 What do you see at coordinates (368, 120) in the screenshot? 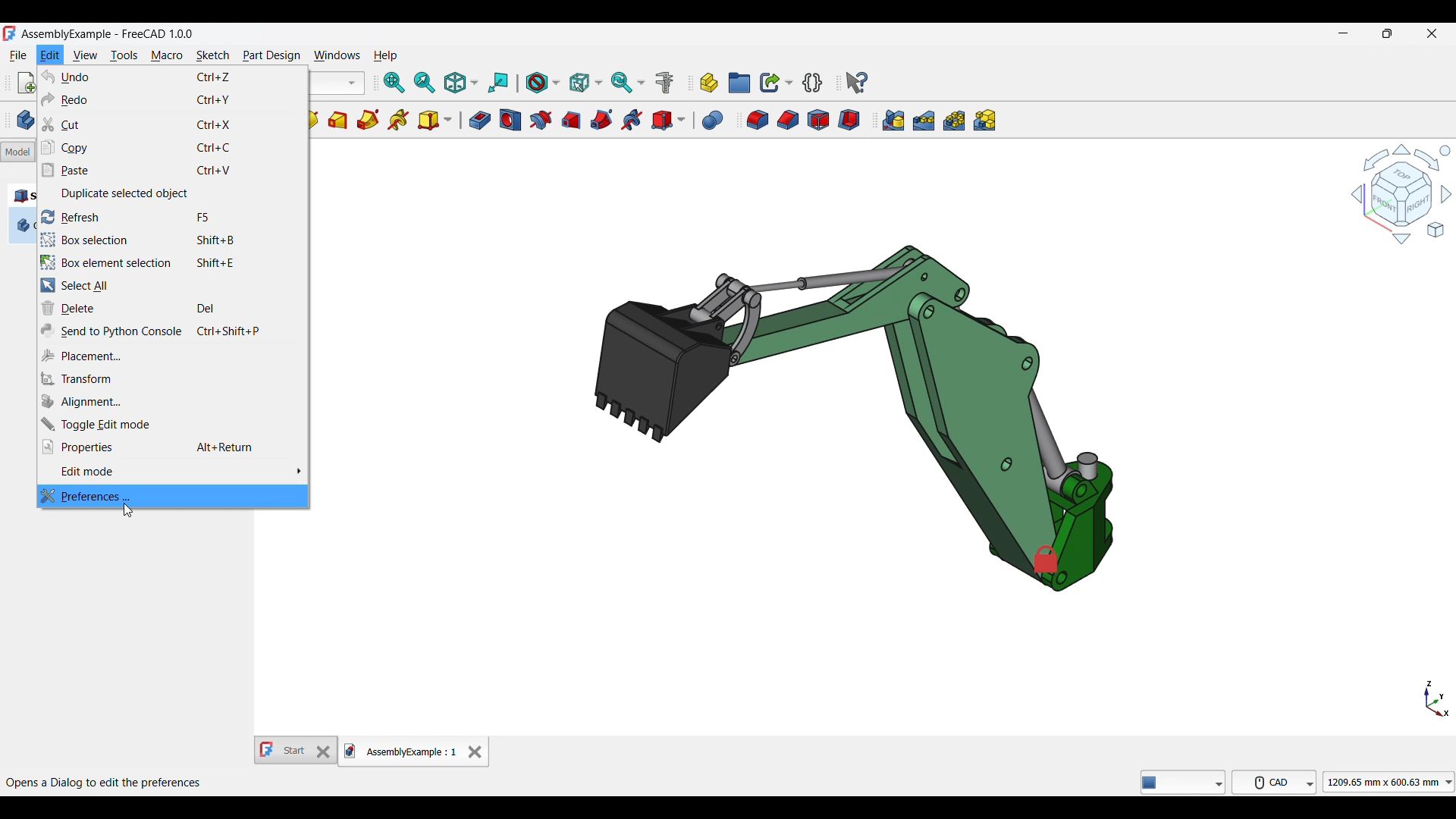
I see `Additive pipe` at bounding box center [368, 120].